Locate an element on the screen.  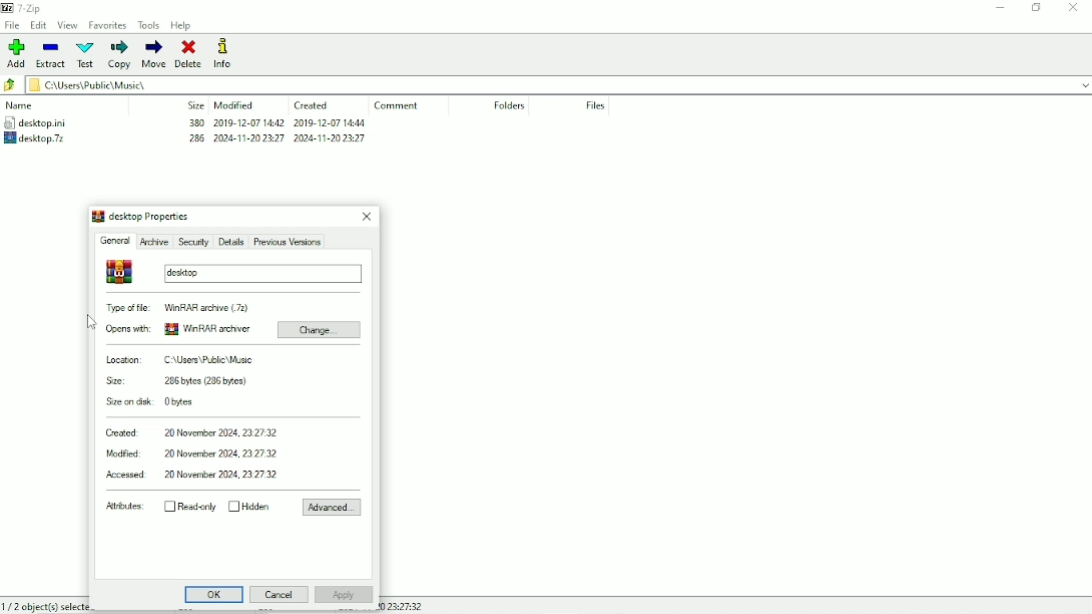
Size: 286 bytes is located at coordinates (177, 381).